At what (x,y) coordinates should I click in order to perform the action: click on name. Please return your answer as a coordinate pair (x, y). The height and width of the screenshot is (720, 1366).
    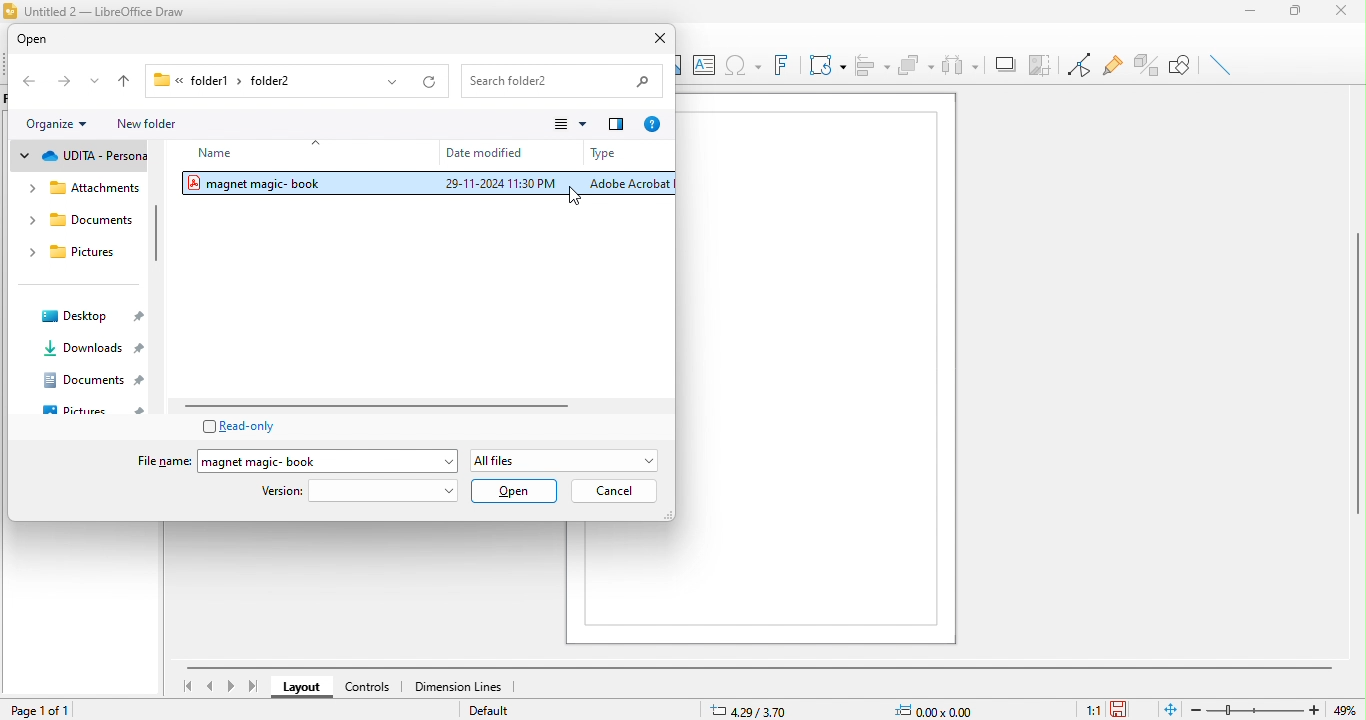
    Looking at the image, I should click on (242, 154).